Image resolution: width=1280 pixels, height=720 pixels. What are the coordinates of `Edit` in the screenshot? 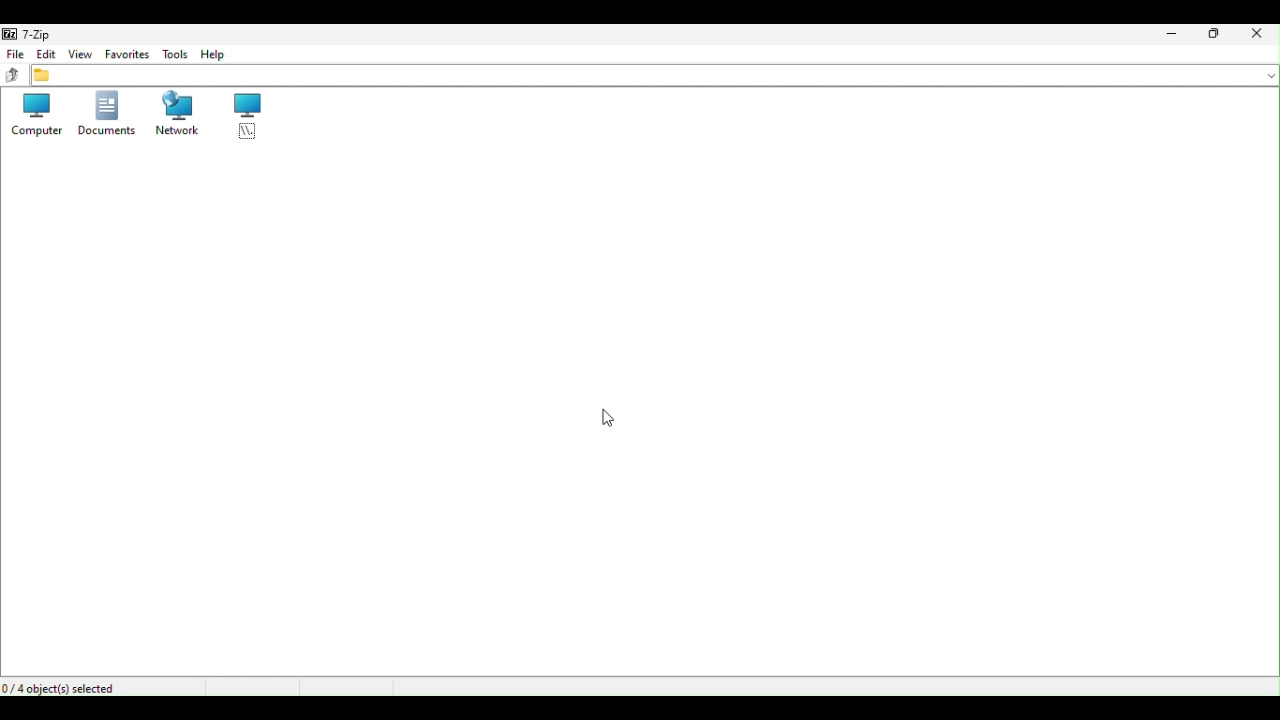 It's located at (45, 53).